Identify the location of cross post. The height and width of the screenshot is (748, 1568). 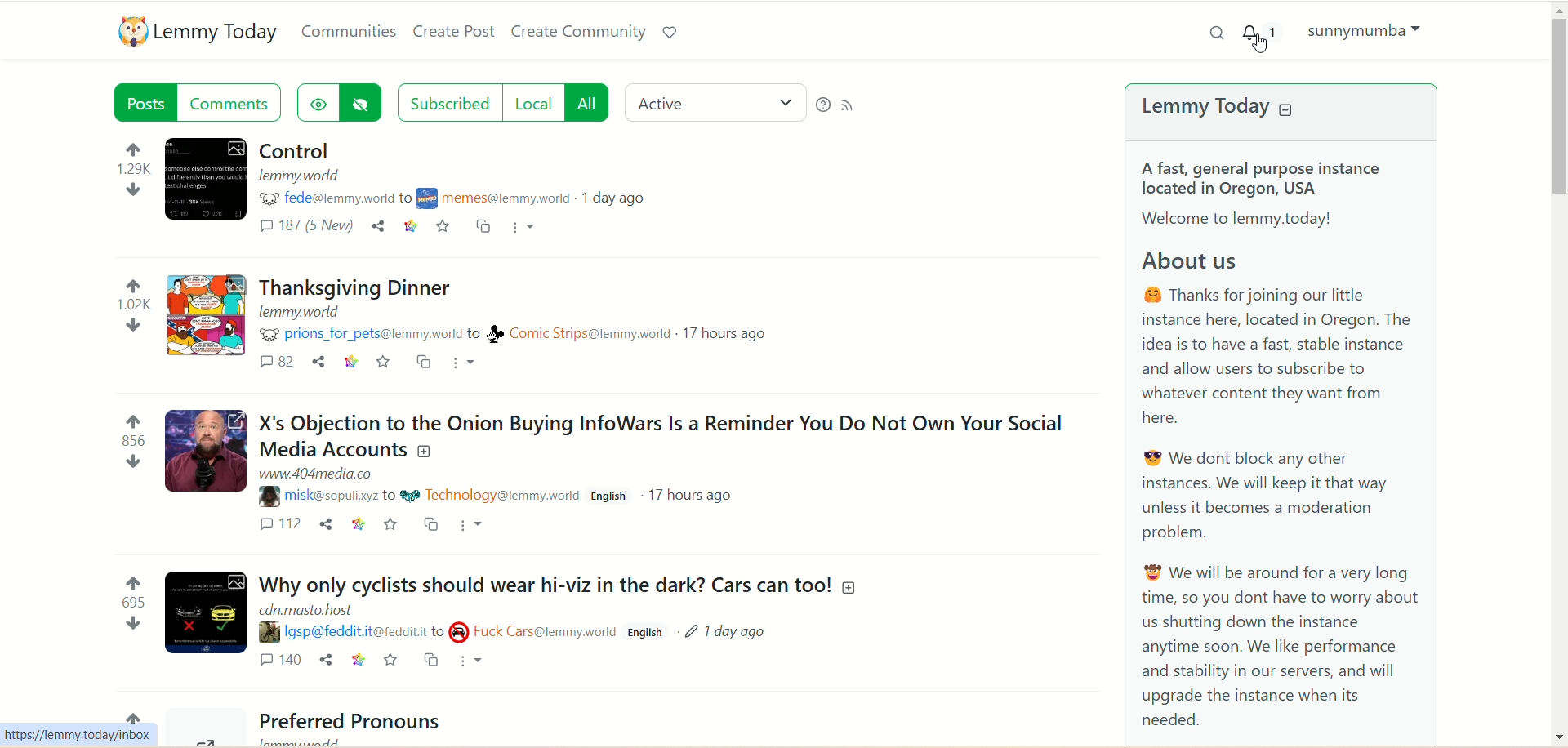
(434, 664).